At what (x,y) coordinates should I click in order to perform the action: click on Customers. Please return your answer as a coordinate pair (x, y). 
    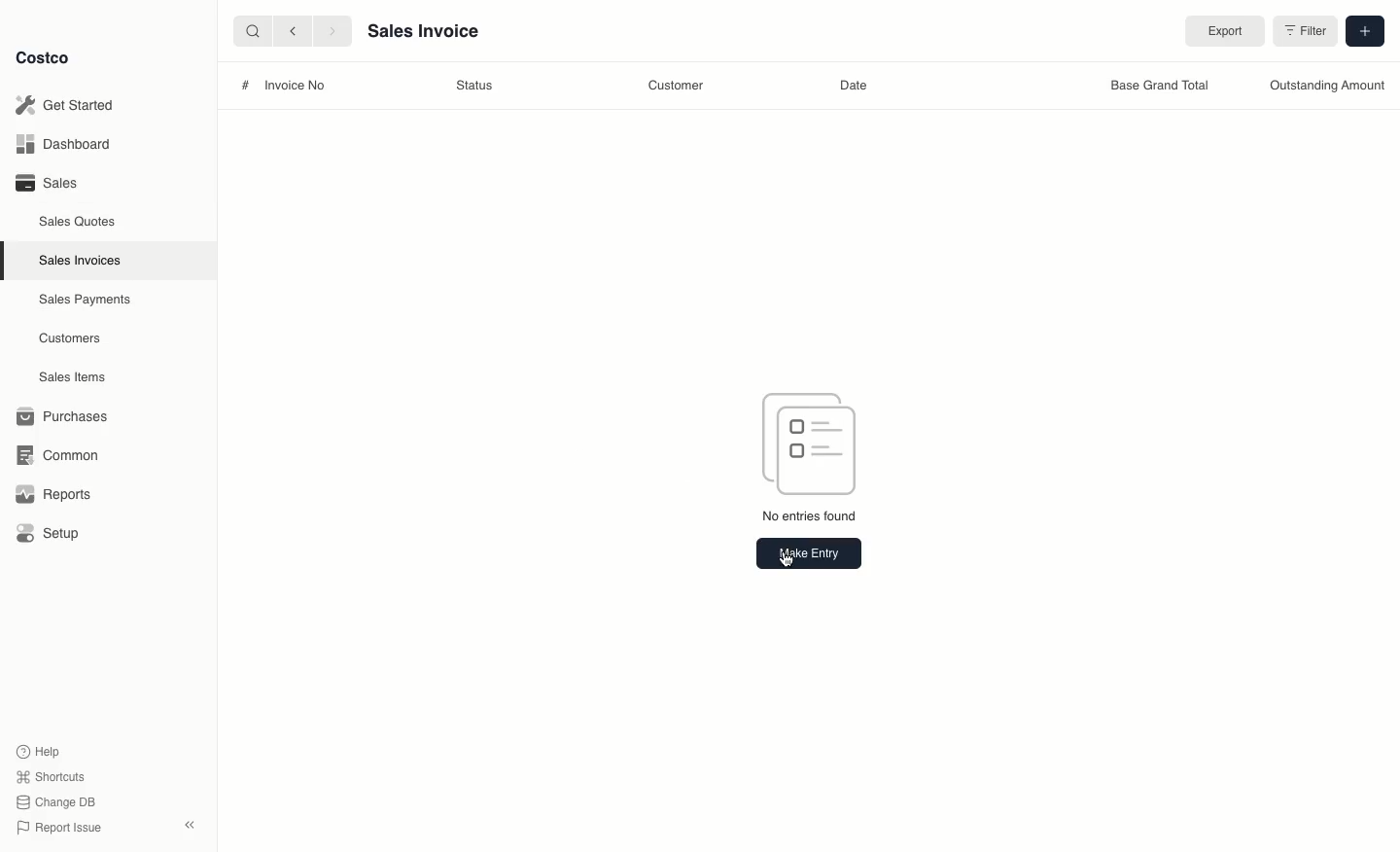
    Looking at the image, I should click on (73, 338).